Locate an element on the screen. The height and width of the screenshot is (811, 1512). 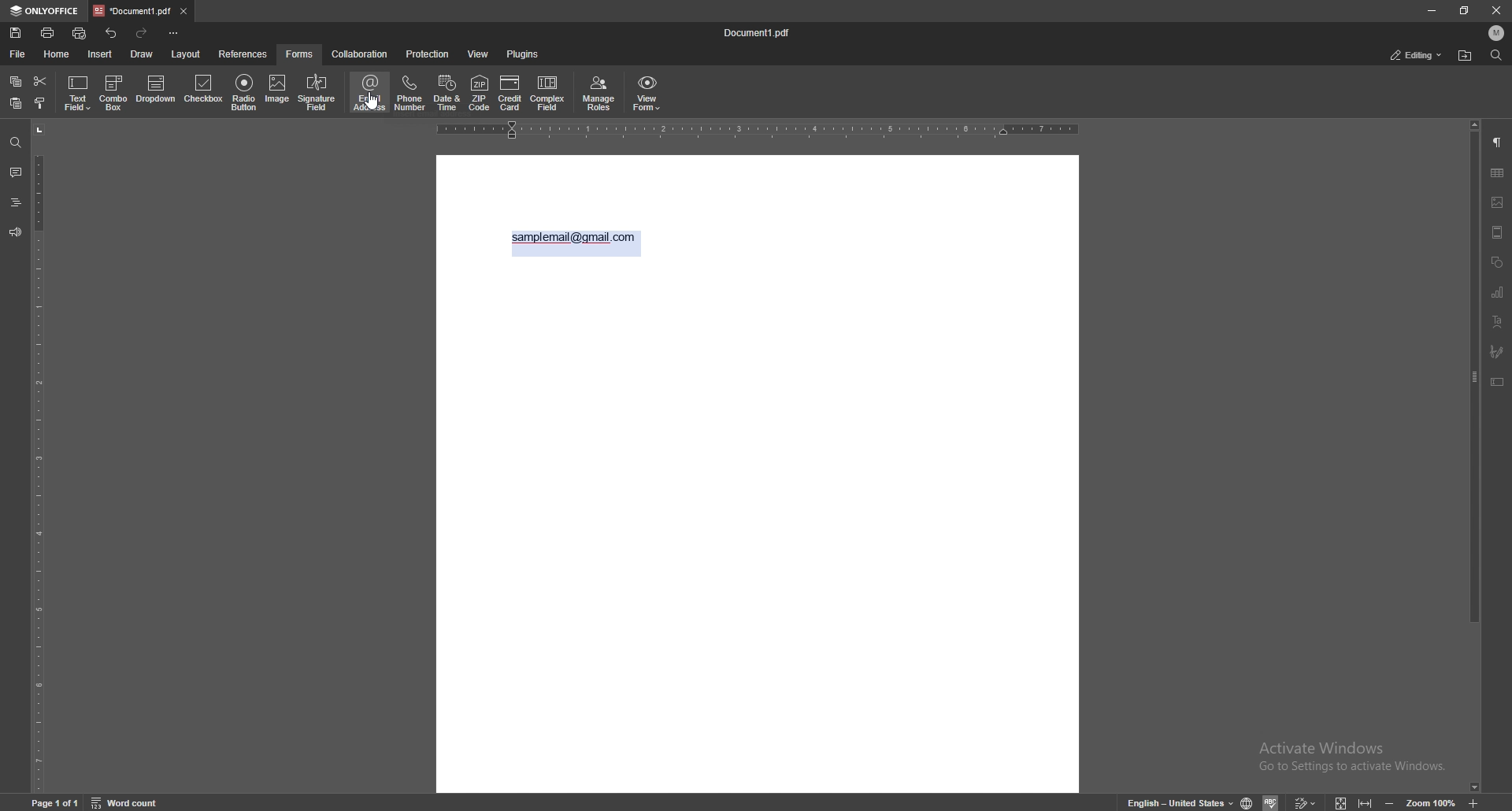
fit to screen is located at coordinates (1344, 802).